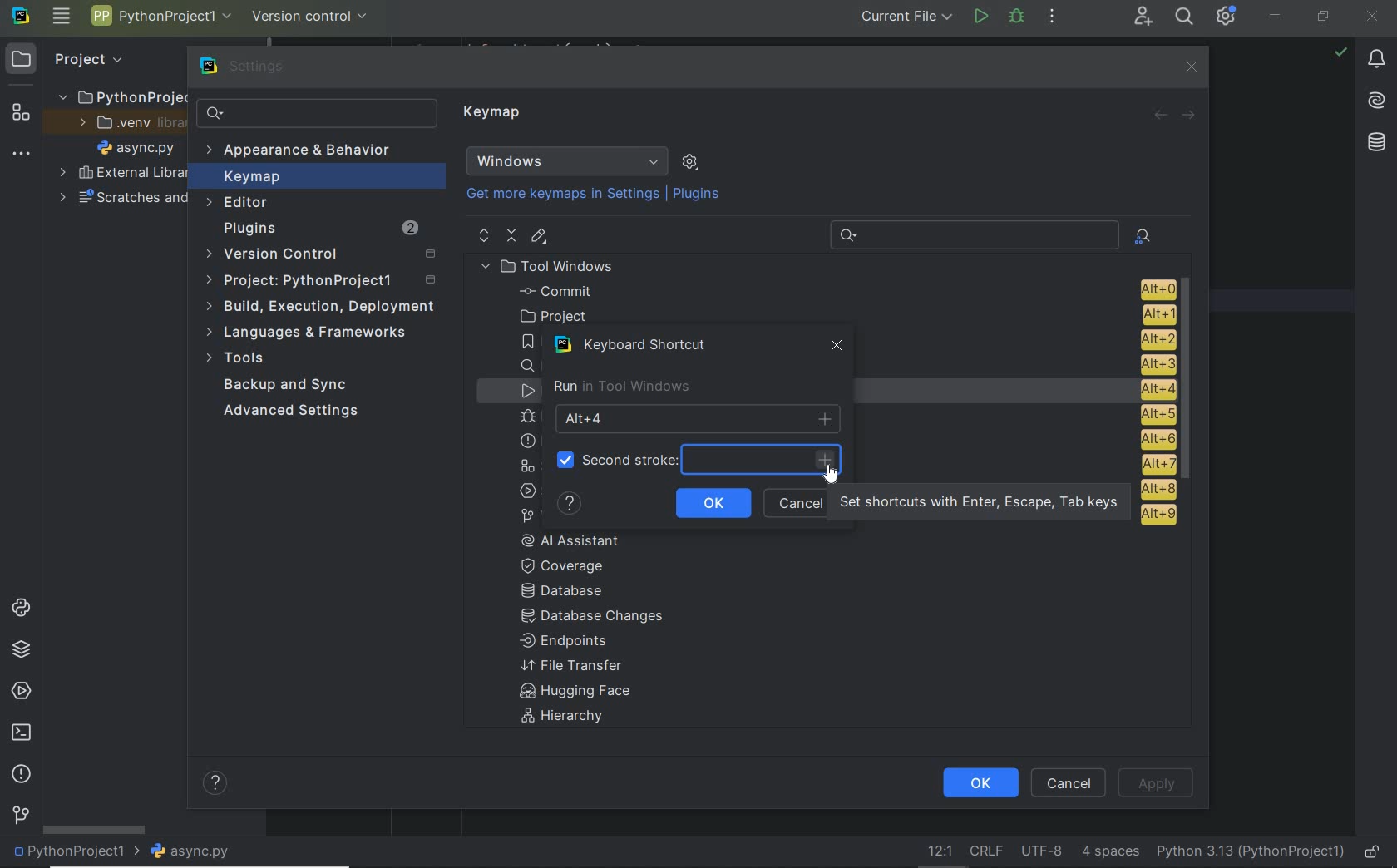  I want to click on expand all, so click(482, 235).